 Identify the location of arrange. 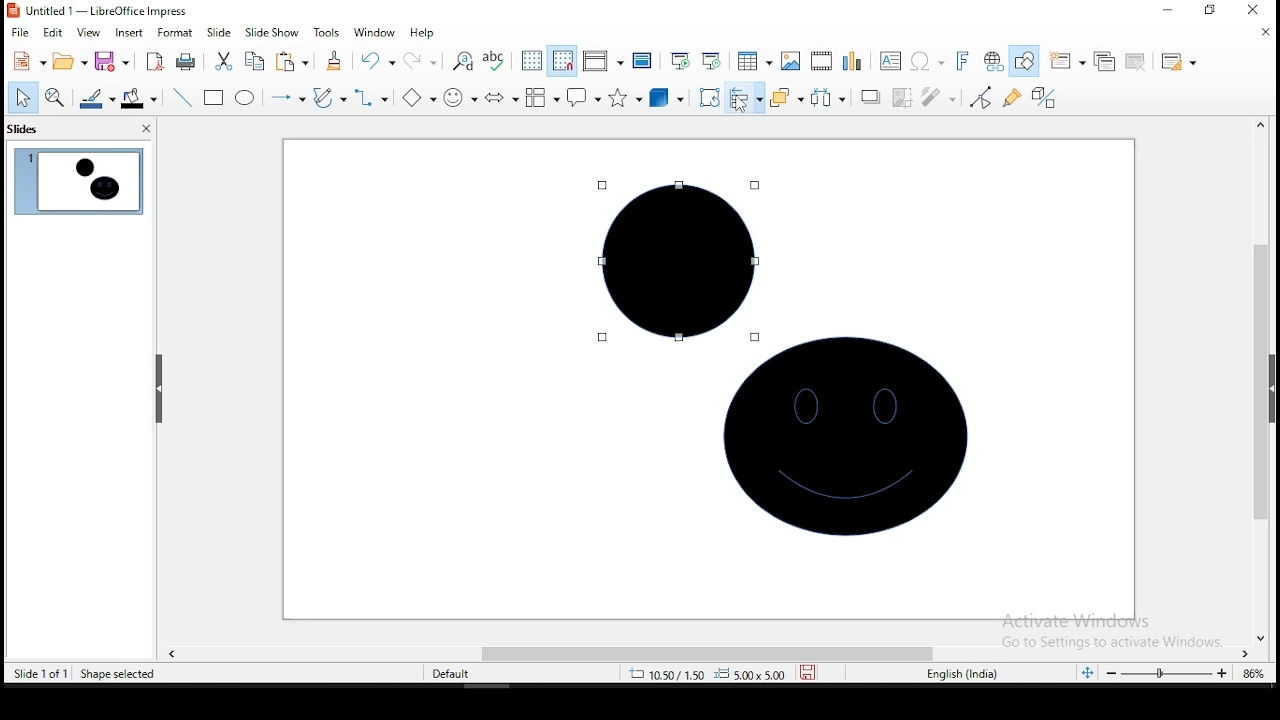
(785, 99).